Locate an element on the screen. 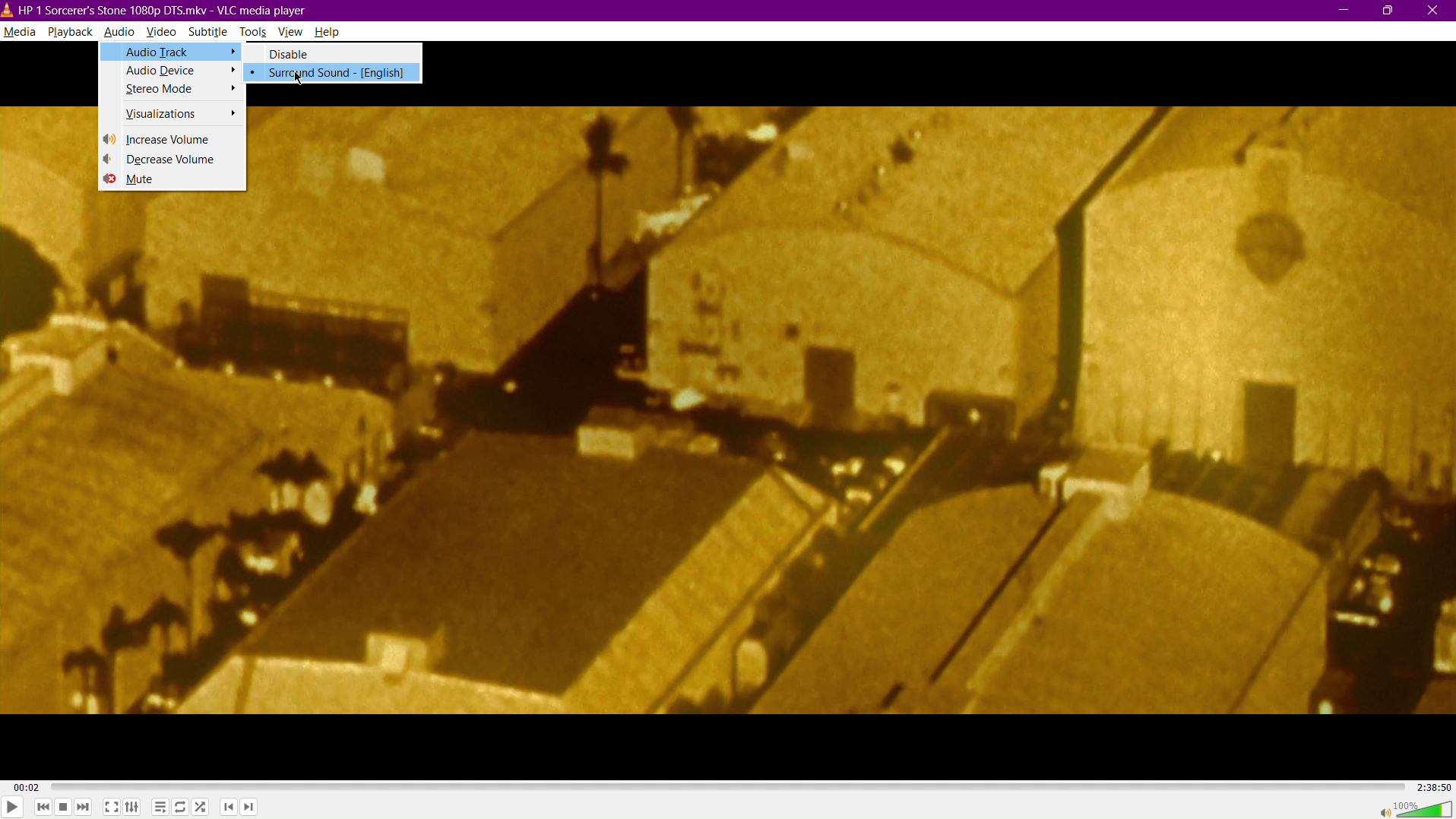 The width and height of the screenshot is (1456, 819). Video Display is located at coordinates (856, 411).